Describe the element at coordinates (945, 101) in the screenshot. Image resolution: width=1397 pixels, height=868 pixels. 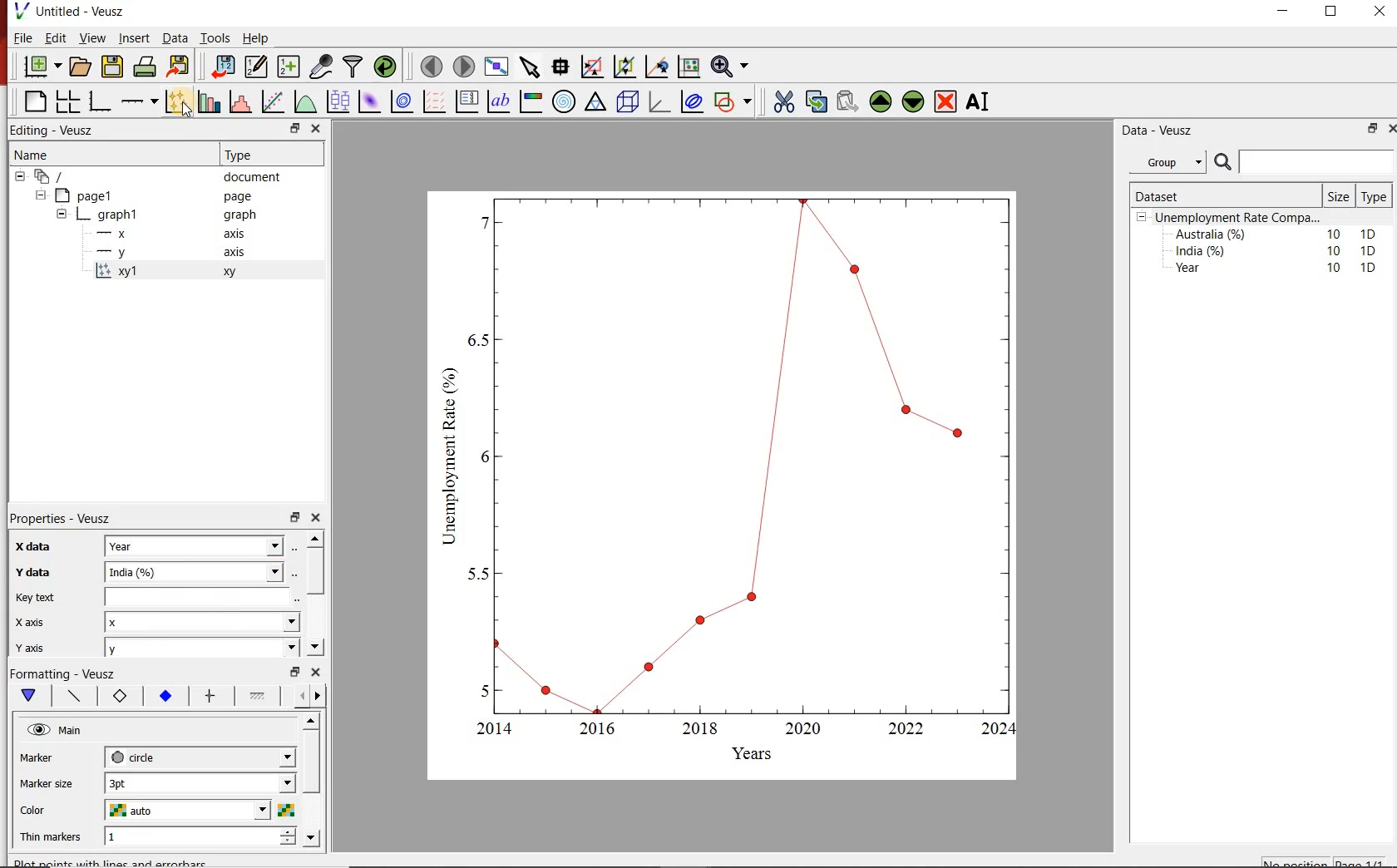
I see `remove the widgets` at that location.